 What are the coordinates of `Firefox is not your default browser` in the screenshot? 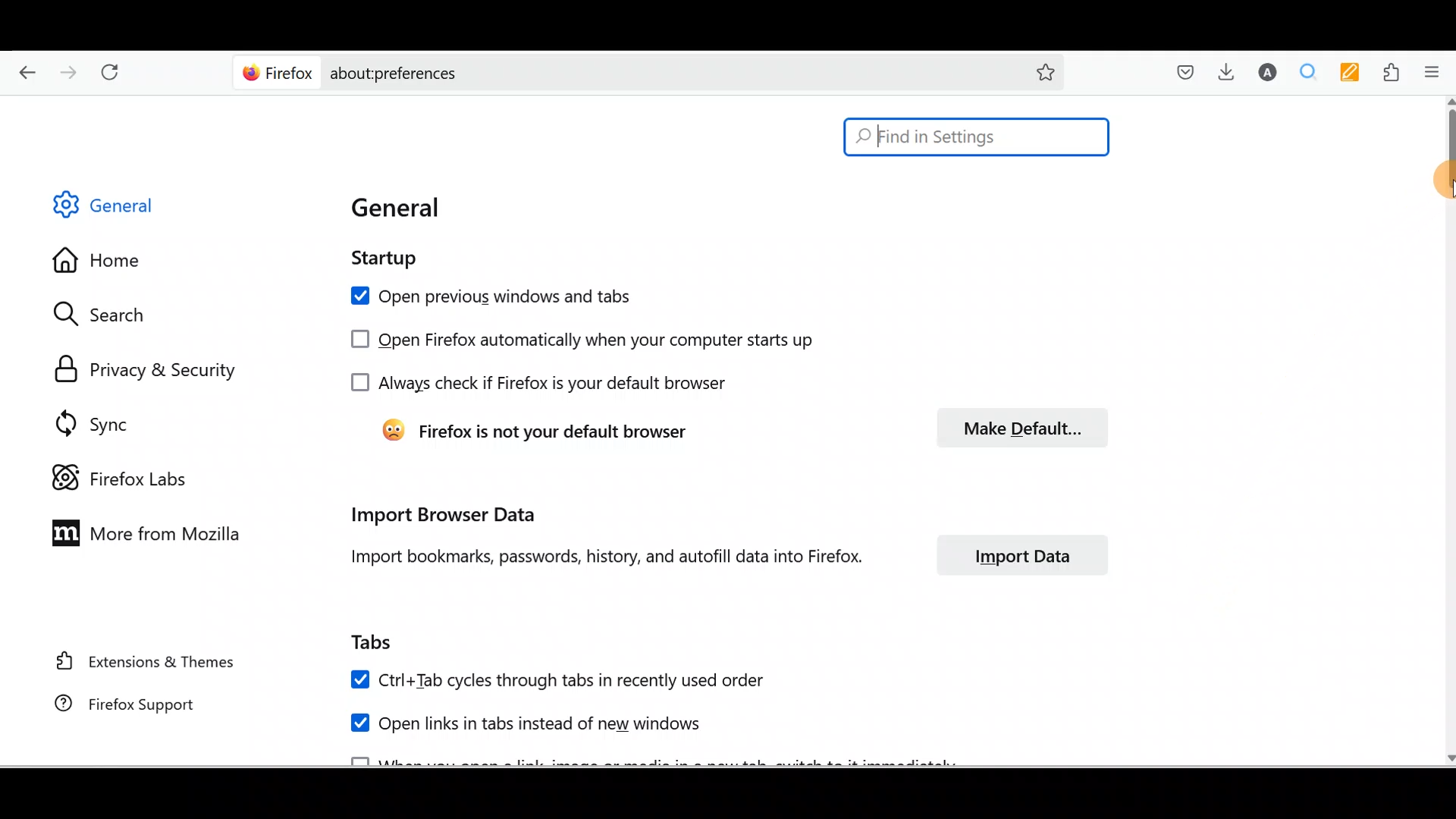 It's located at (529, 430).